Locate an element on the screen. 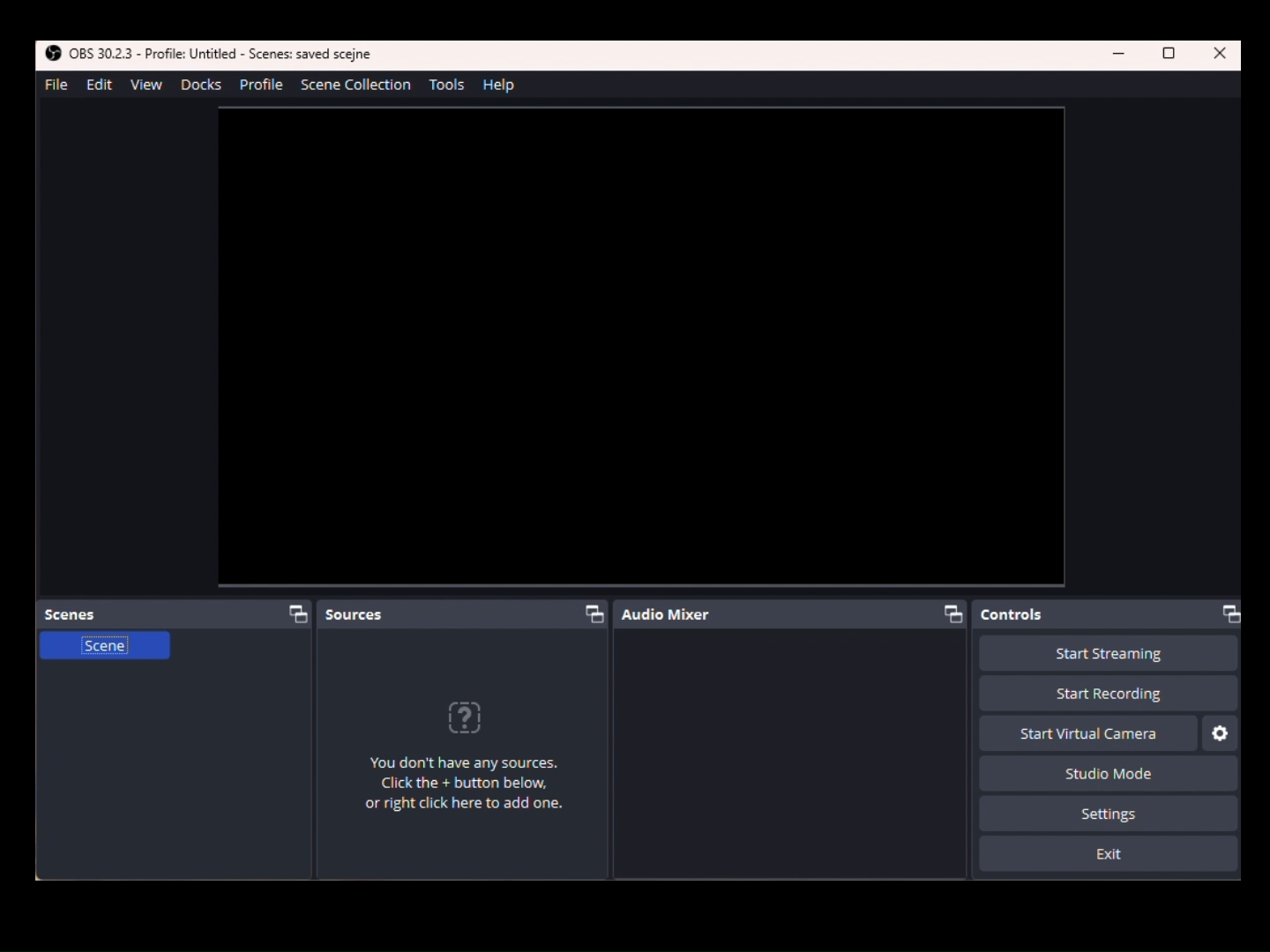 This screenshot has width=1270, height=952. Scenes is located at coordinates (178, 614).